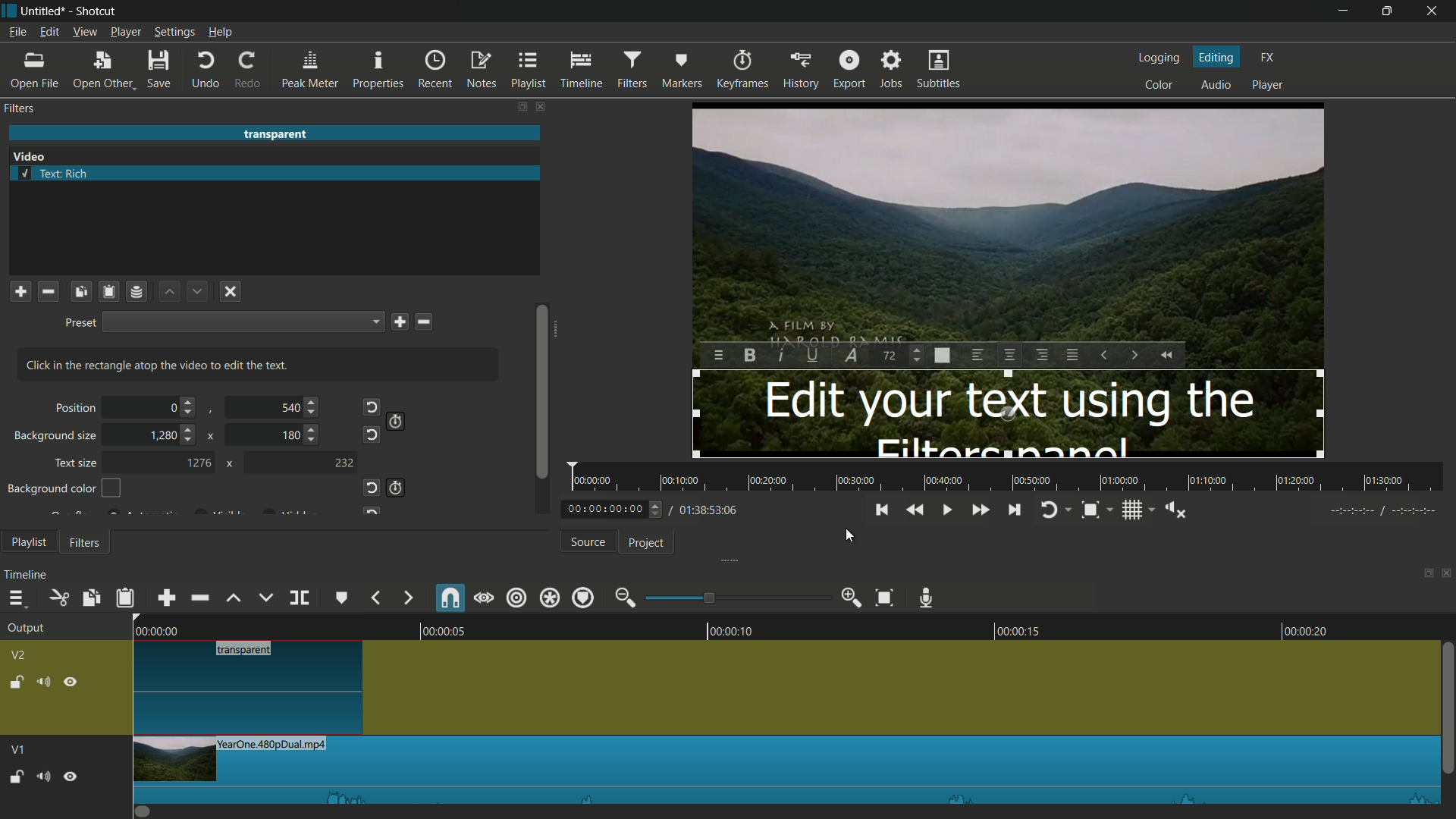 This screenshot has height=819, width=1456. What do you see at coordinates (234, 597) in the screenshot?
I see `lift` at bounding box center [234, 597].